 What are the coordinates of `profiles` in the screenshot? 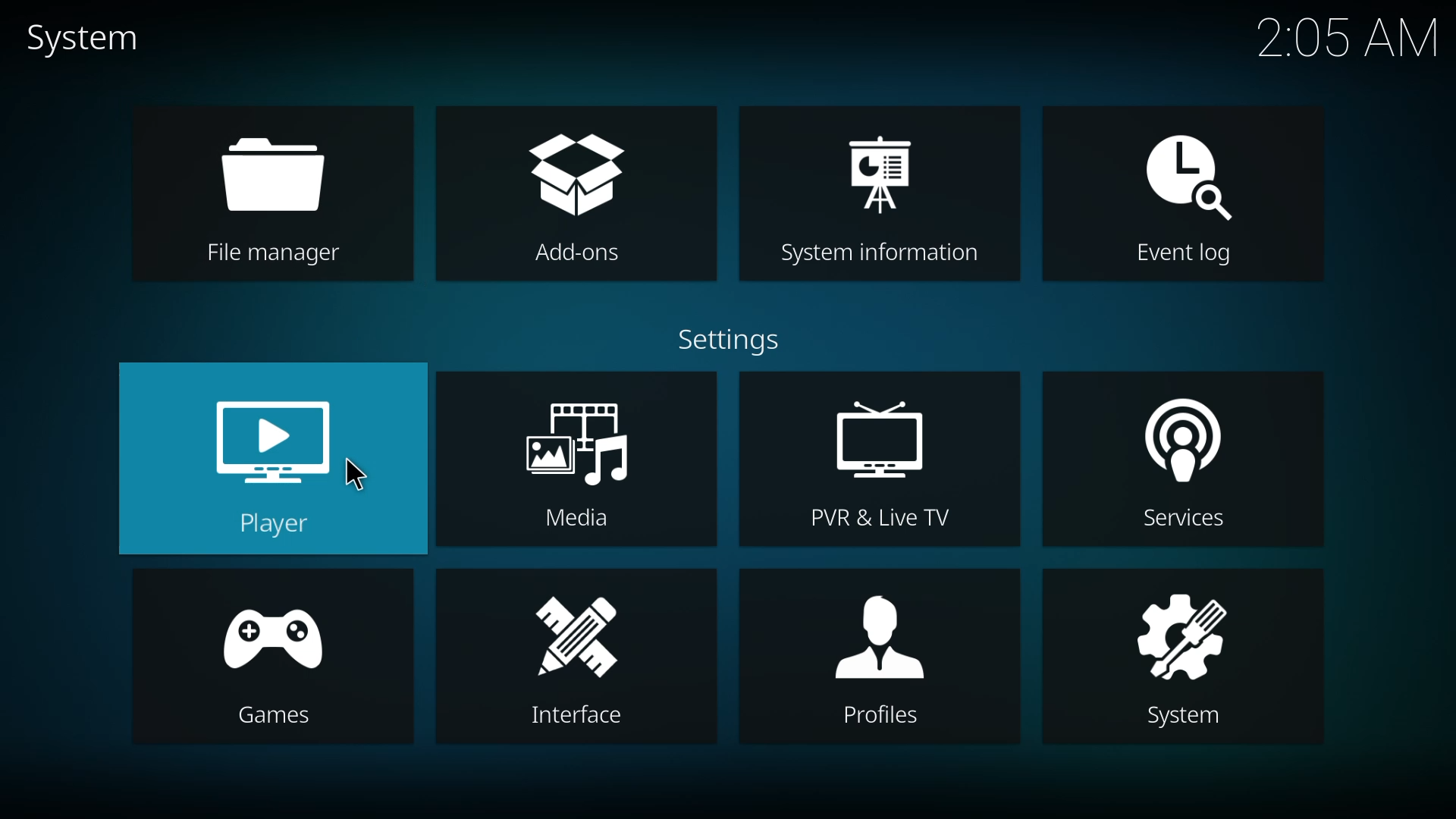 It's located at (883, 659).